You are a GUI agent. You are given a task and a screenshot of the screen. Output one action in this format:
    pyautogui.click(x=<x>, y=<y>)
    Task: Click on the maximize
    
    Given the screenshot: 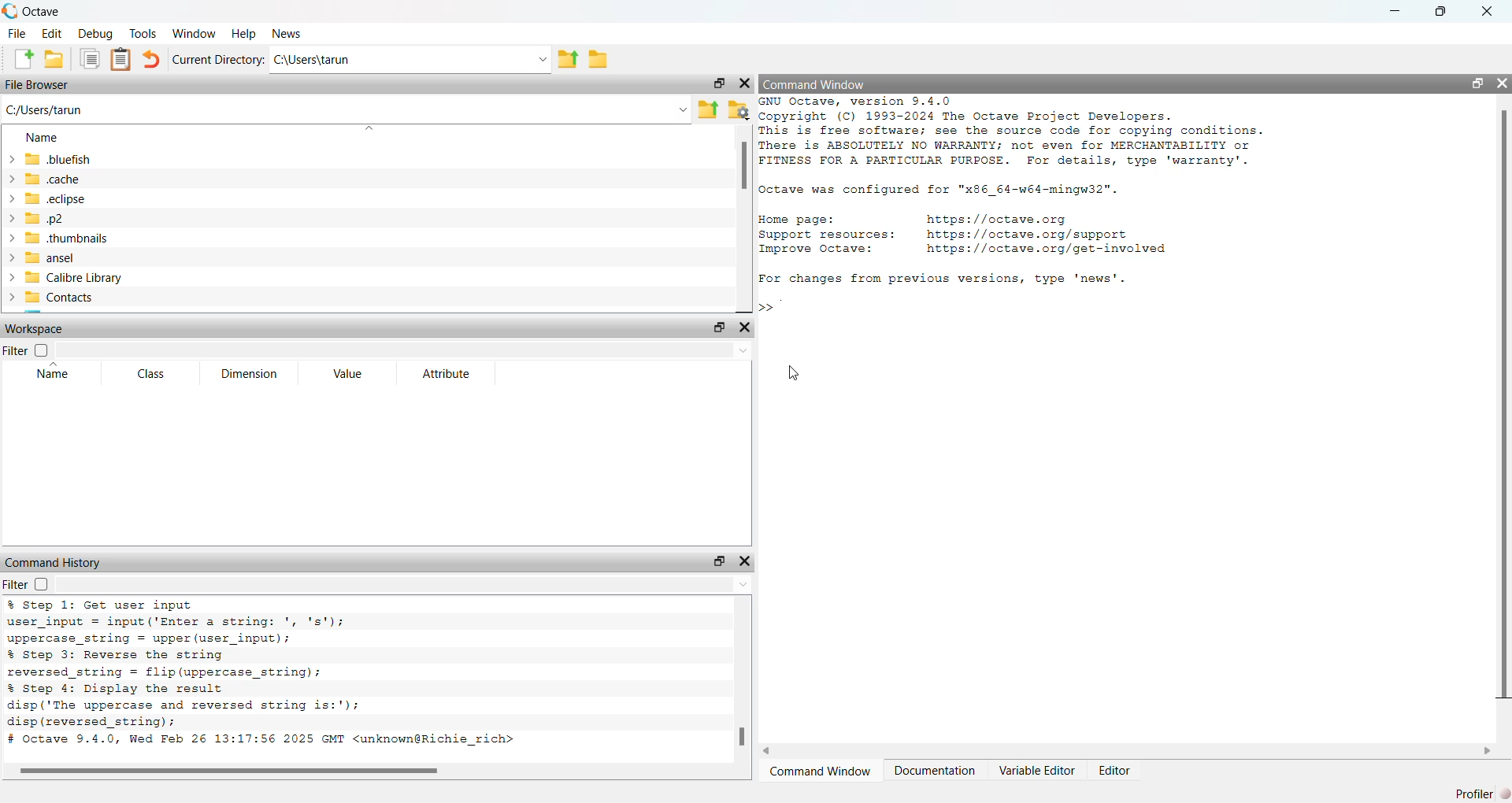 What is the action you would take?
    pyautogui.click(x=1446, y=11)
    